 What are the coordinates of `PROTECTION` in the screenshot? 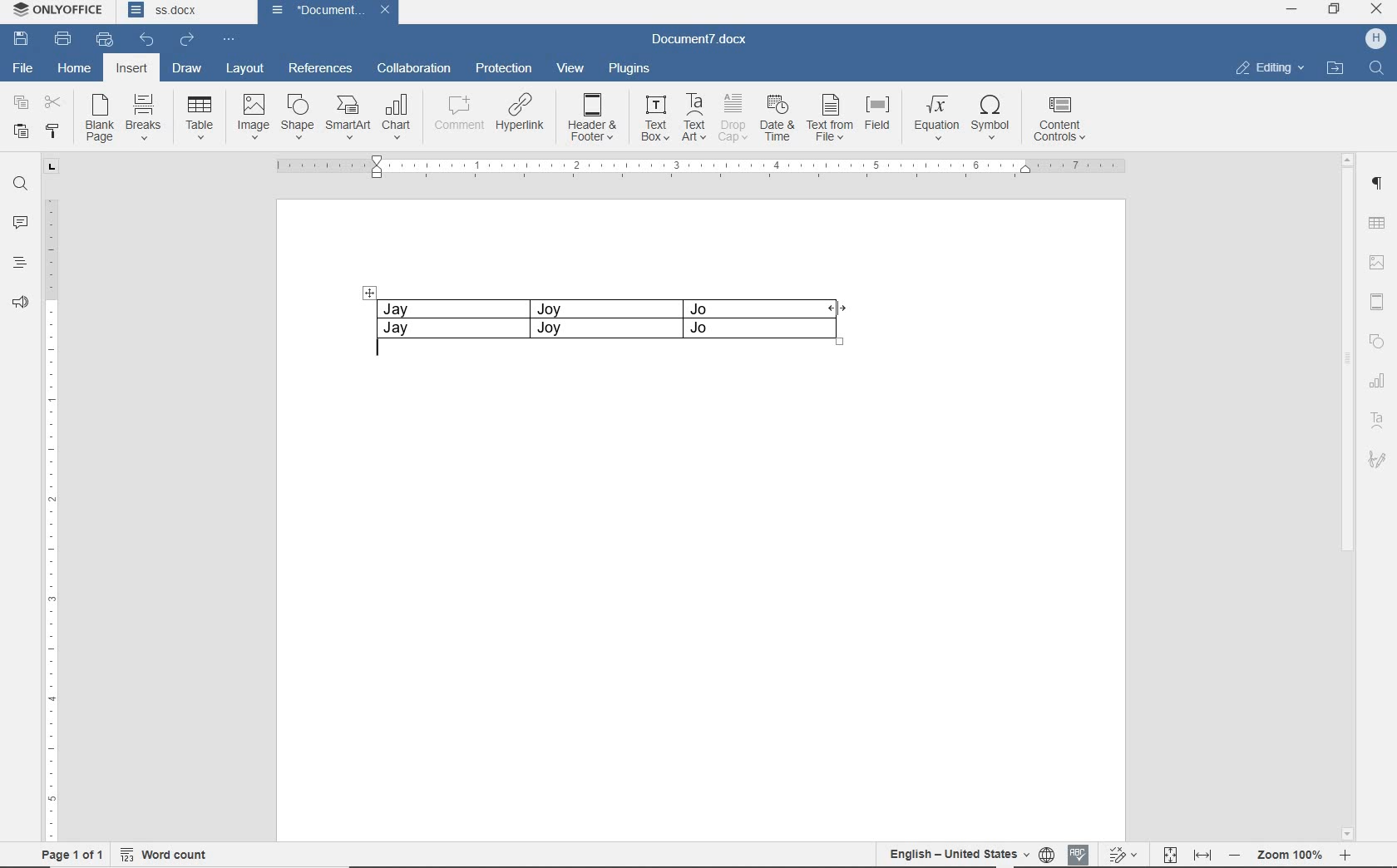 It's located at (502, 68).